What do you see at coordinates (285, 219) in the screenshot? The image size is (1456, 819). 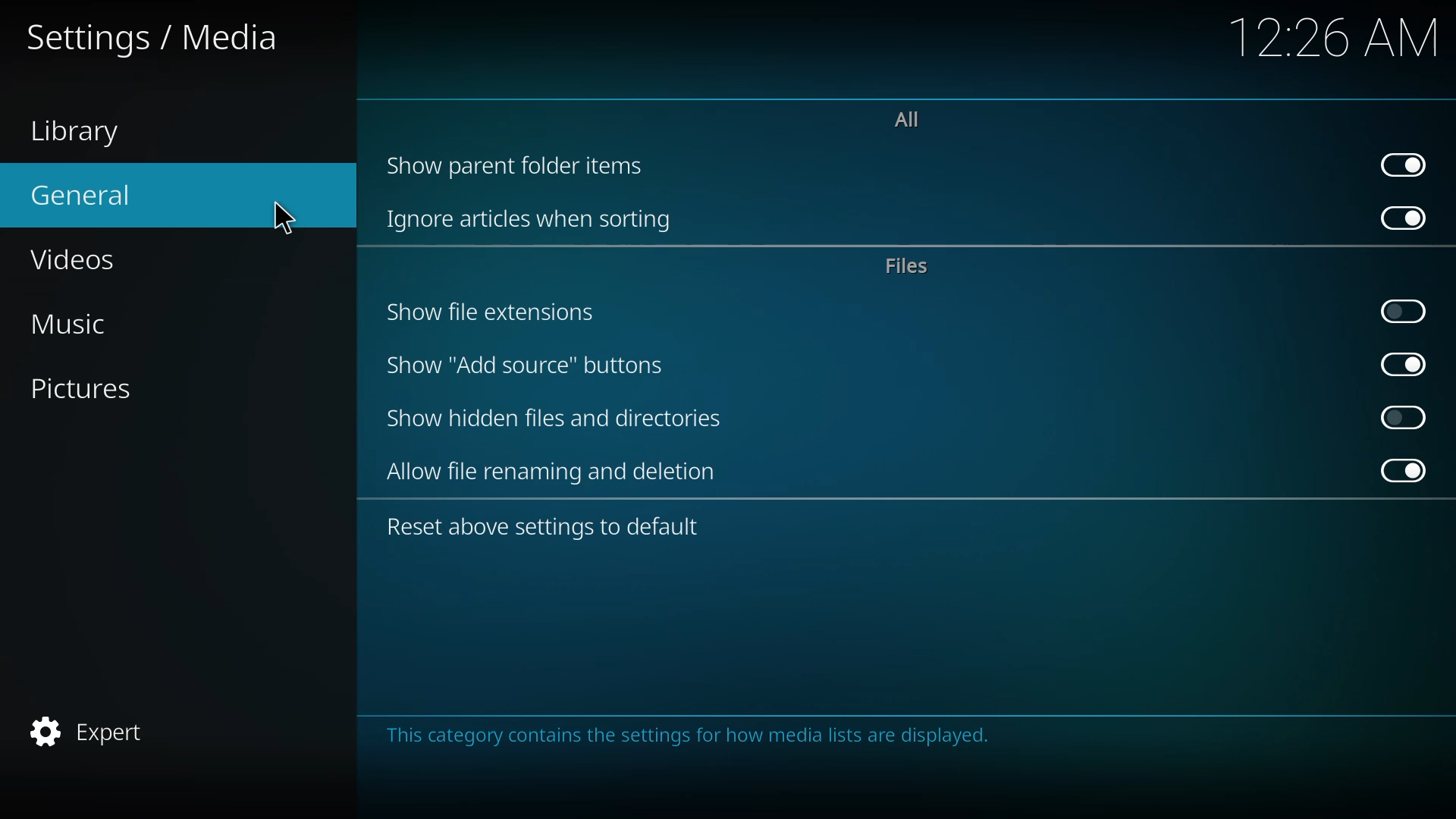 I see `cursor` at bounding box center [285, 219].